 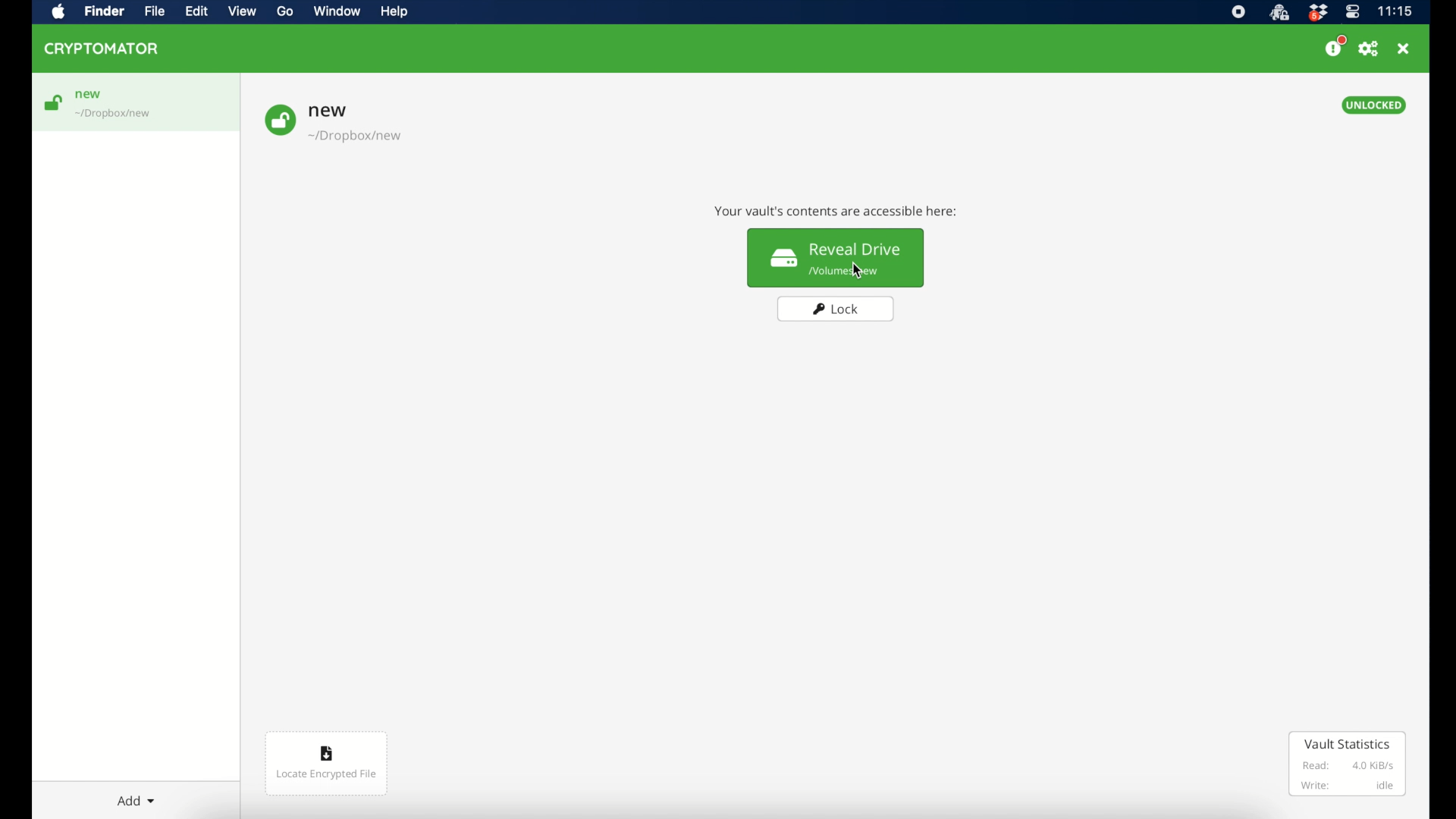 What do you see at coordinates (115, 115) in the screenshot?
I see `location` at bounding box center [115, 115].